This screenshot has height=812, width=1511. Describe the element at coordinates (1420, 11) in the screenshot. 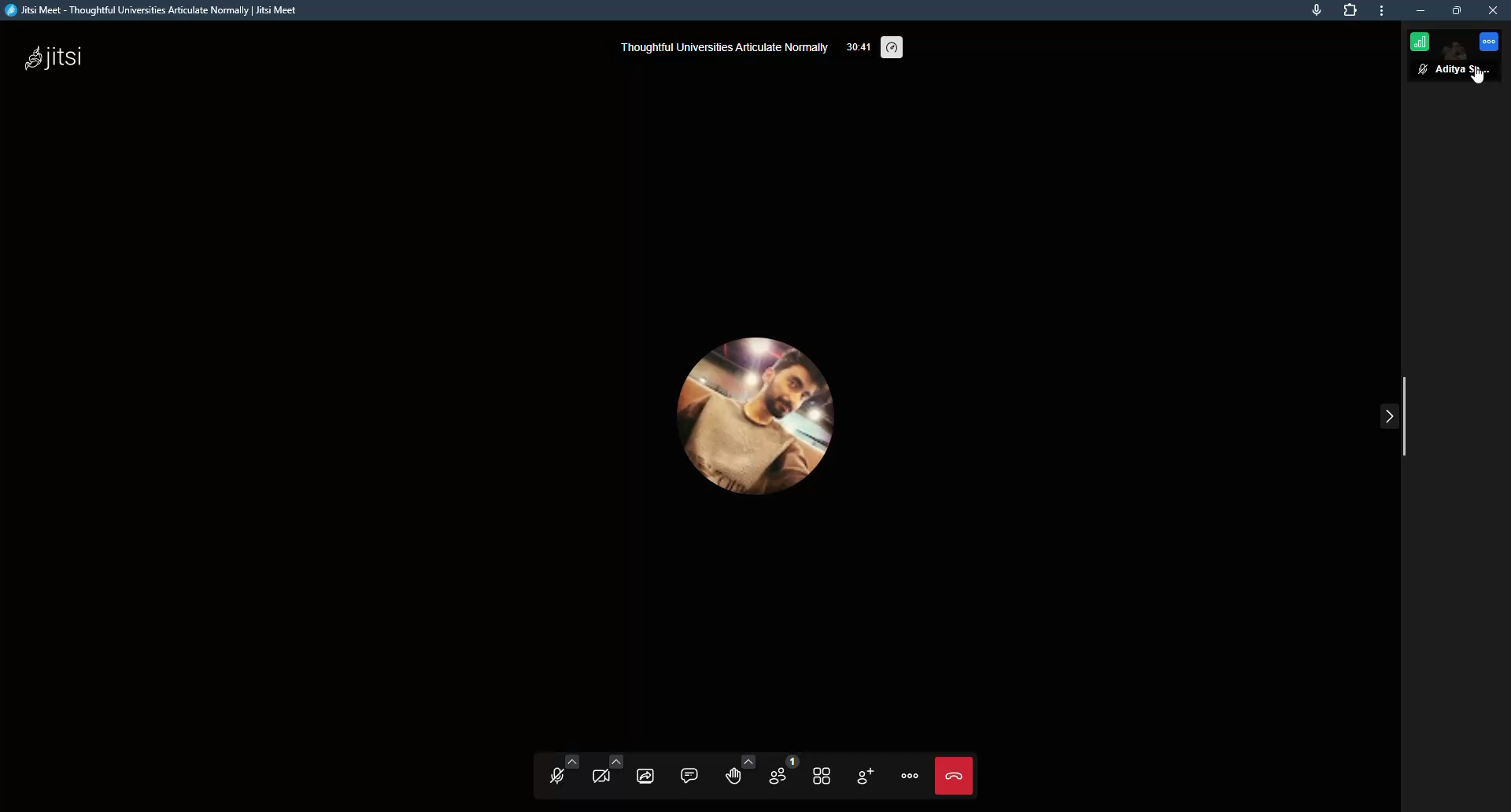

I see `minimize` at that location.